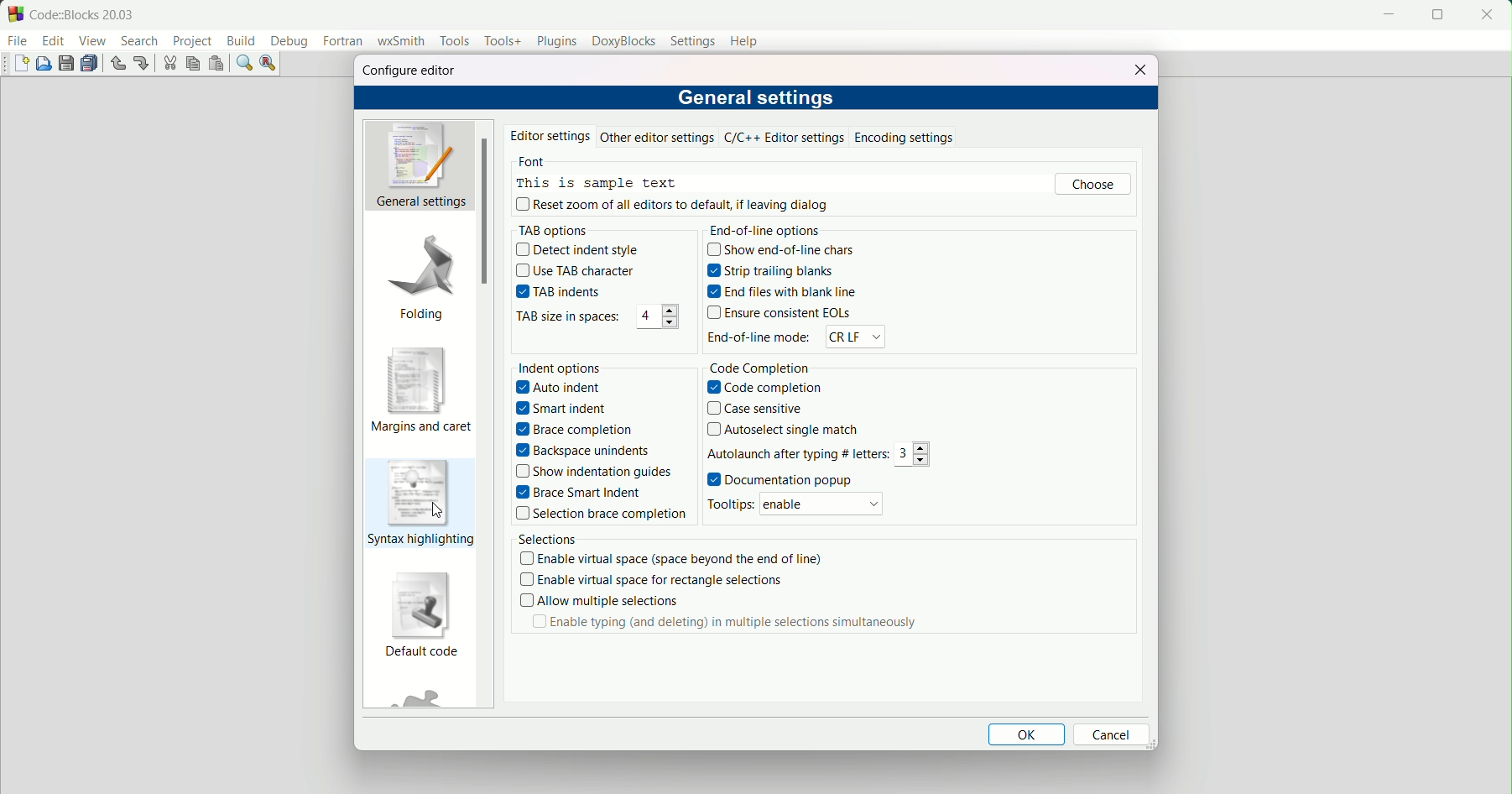 This screenshot has height=794, width=1512. Describe the element at coordinates (580, 249) in the screenshot. I see `detect indent style` at that location.